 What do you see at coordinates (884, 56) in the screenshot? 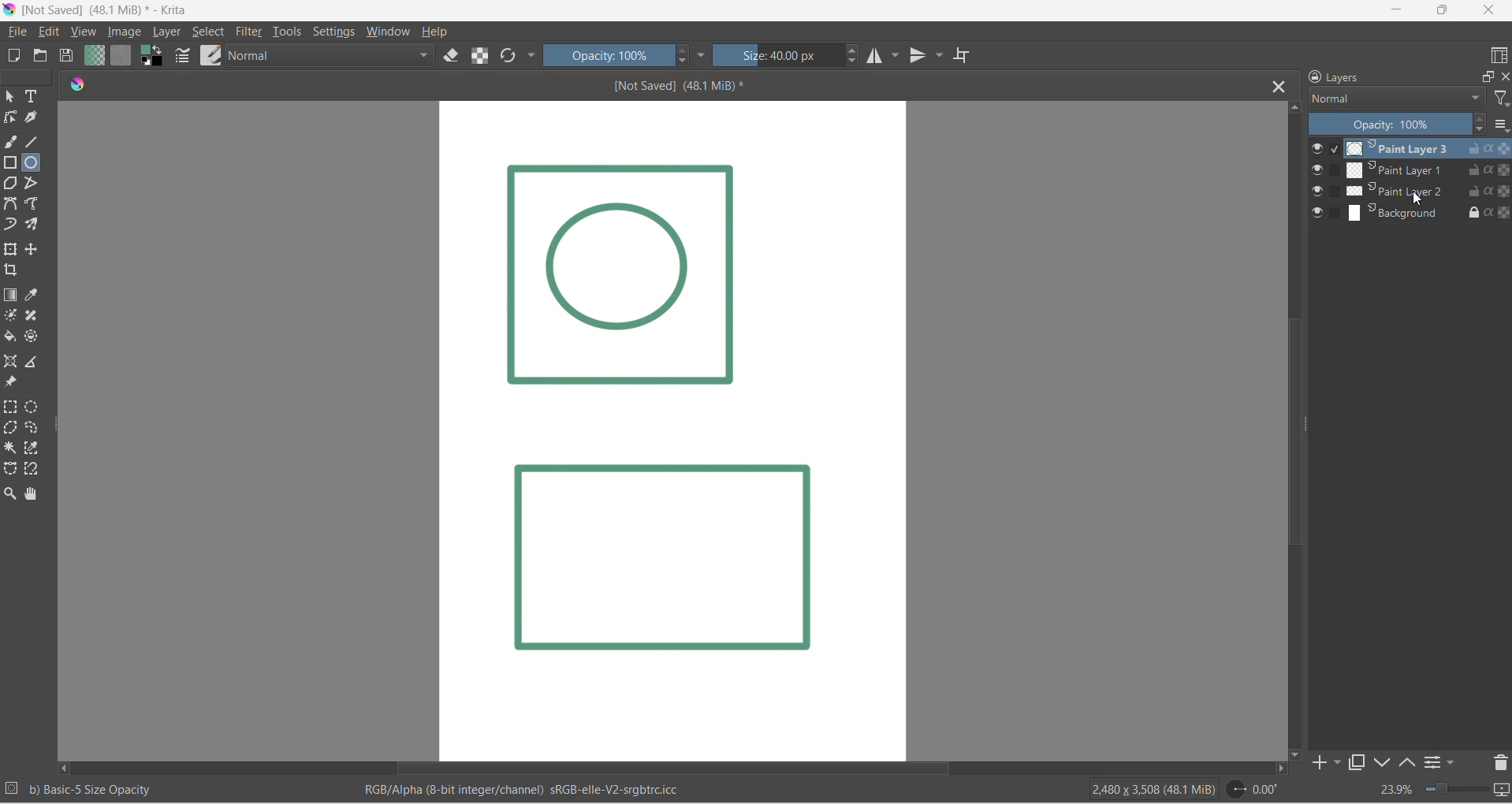
I see `horizontal mirror tool` at bounding box center [884, 56].